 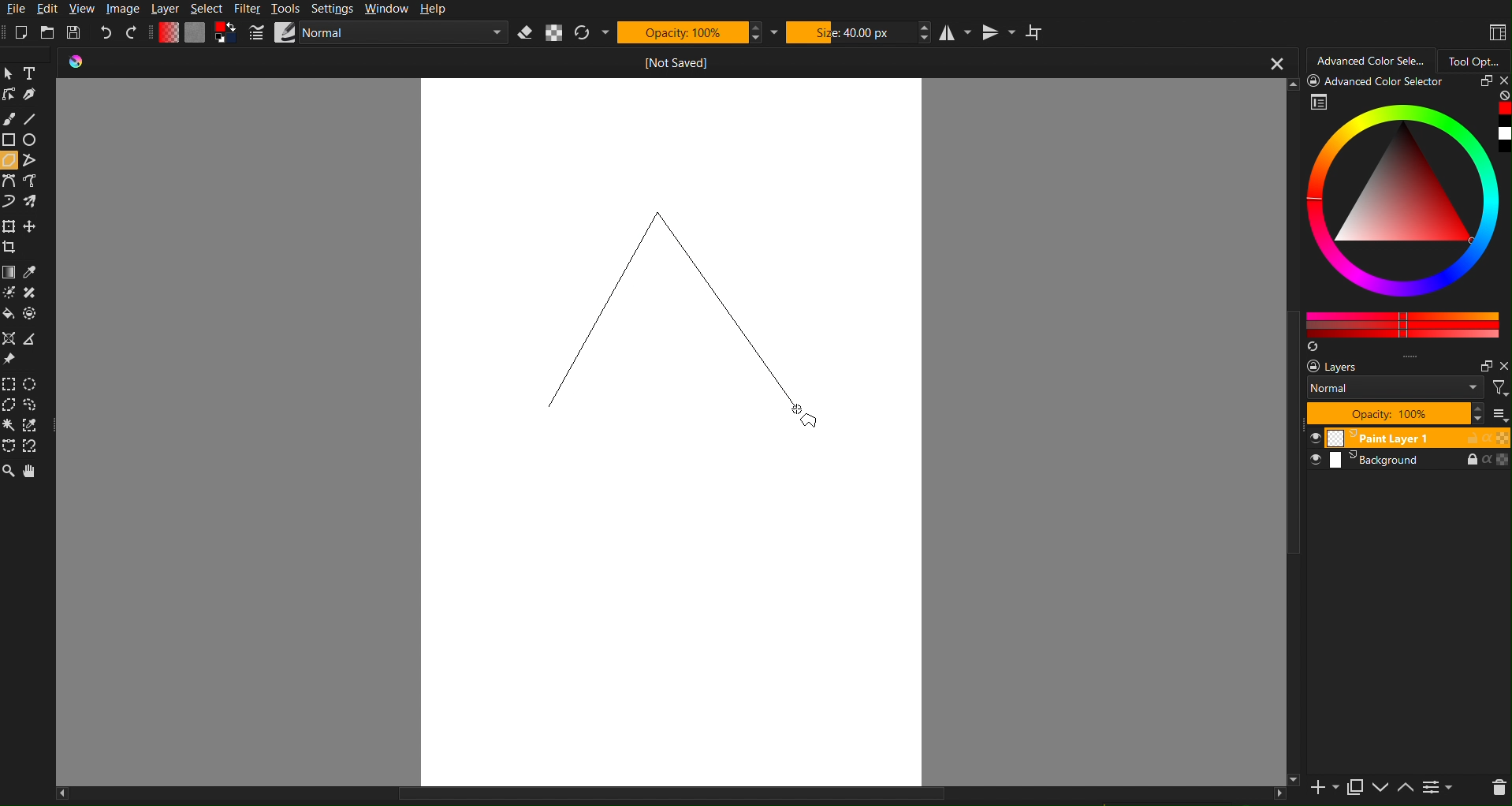 I want to click on filter, so click(x=1500, y=388).